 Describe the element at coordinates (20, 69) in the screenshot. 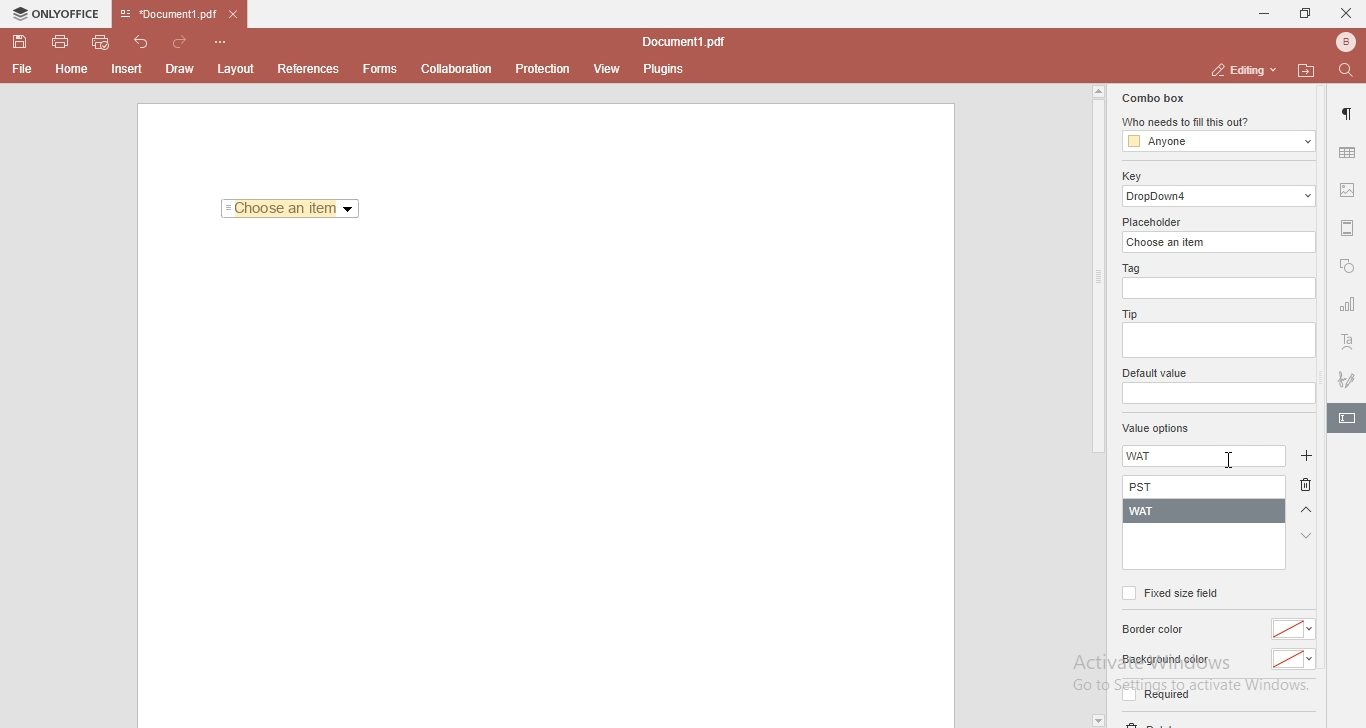

I see `File` at that location.